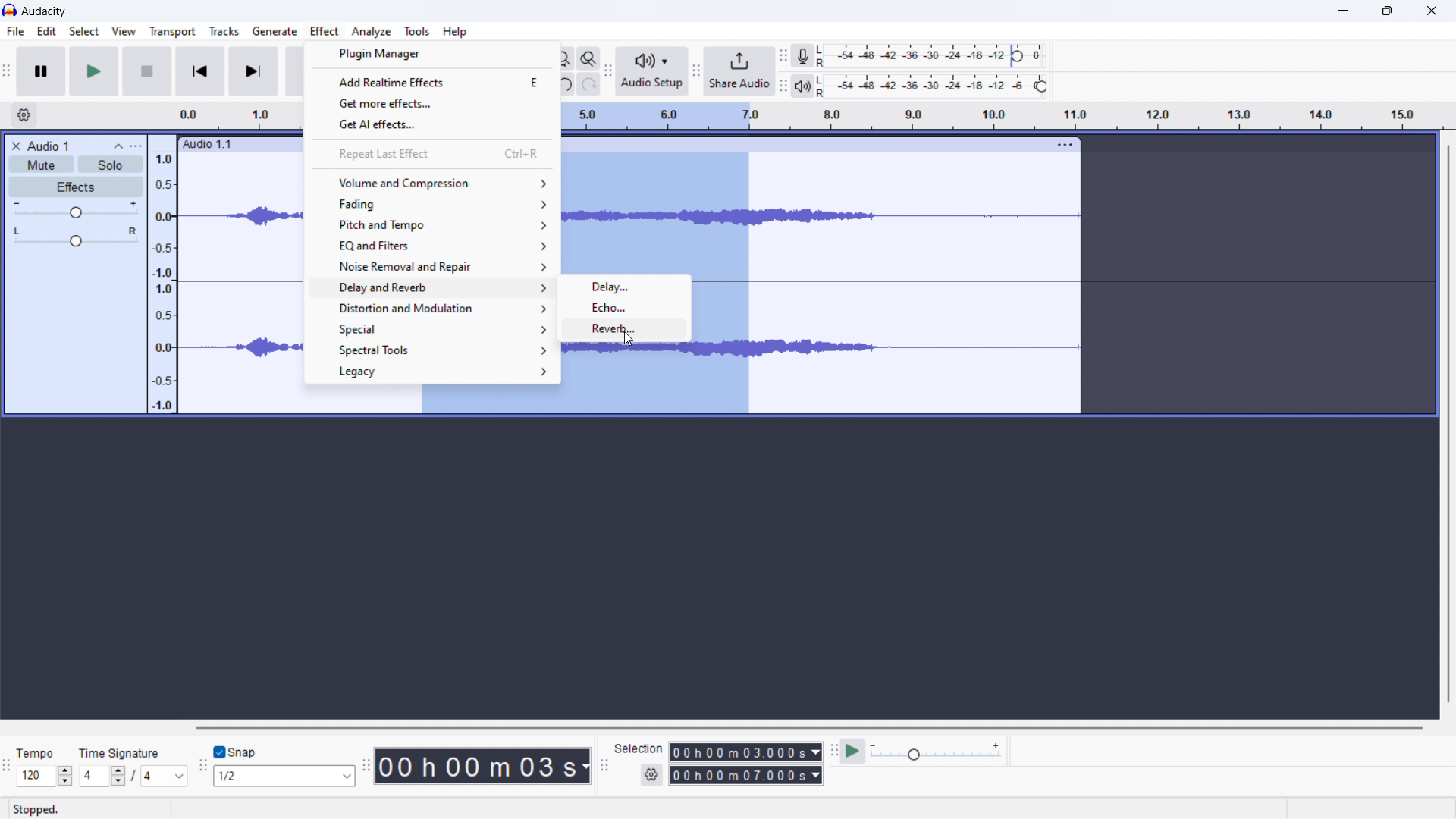 The image size is (1456, 819). Describe the element at coordinates (610, 139) in the screenshot. I see `Audio 1.1` at that location.